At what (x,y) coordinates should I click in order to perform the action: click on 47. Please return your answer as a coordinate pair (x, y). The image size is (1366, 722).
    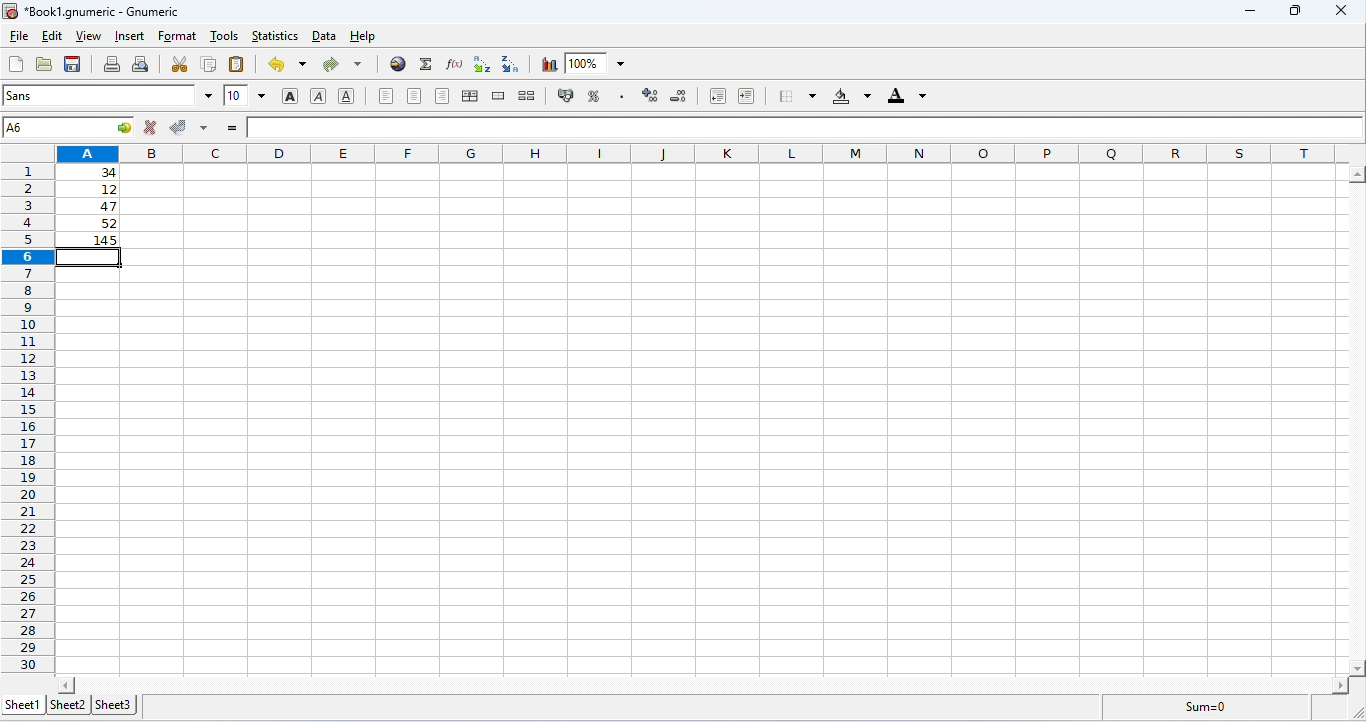
    Looking at the image, I should click on (93, 207).